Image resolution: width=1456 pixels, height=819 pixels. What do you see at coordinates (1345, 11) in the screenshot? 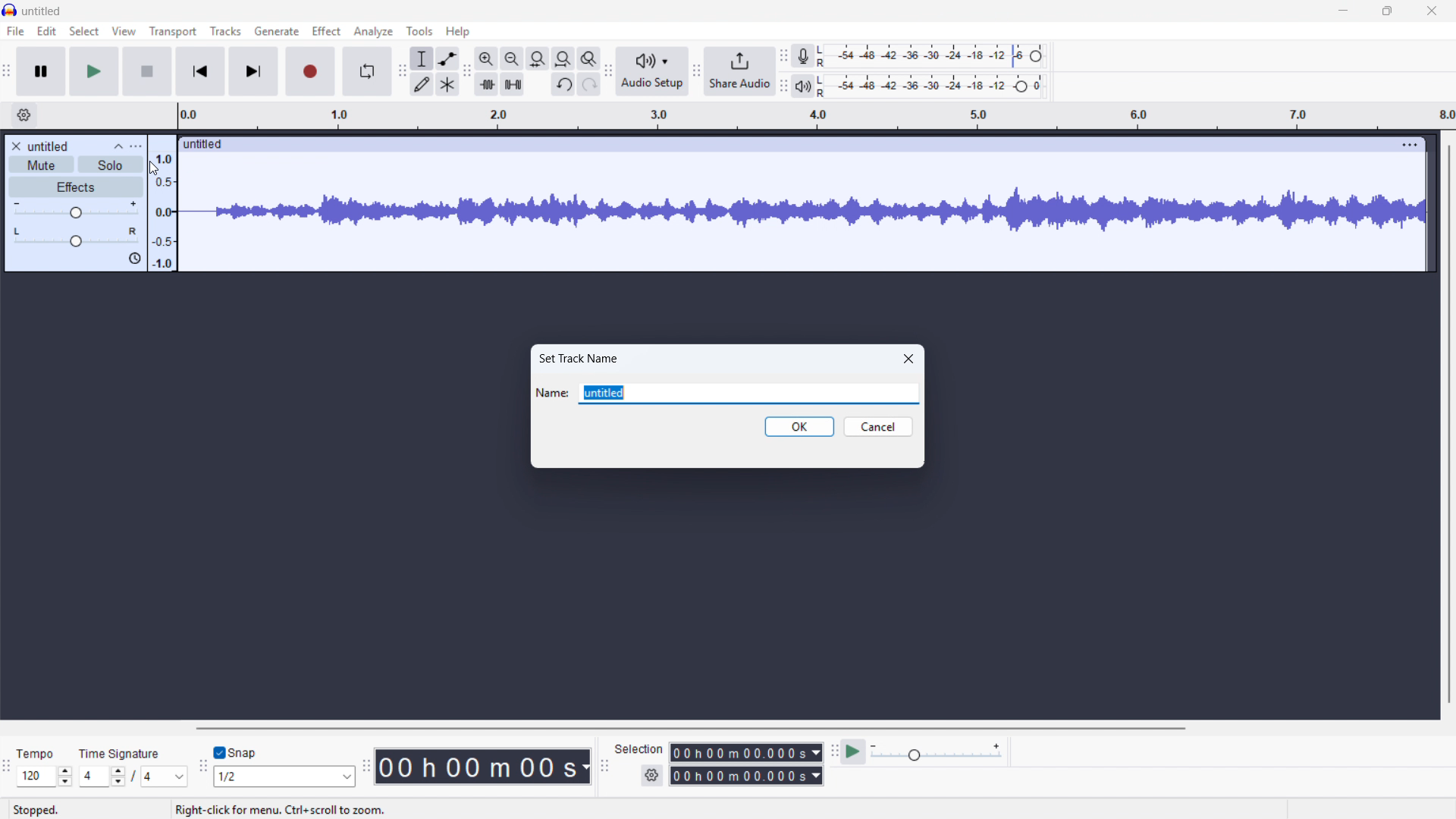
I see `minimise` at bounding box center [1345, 11].